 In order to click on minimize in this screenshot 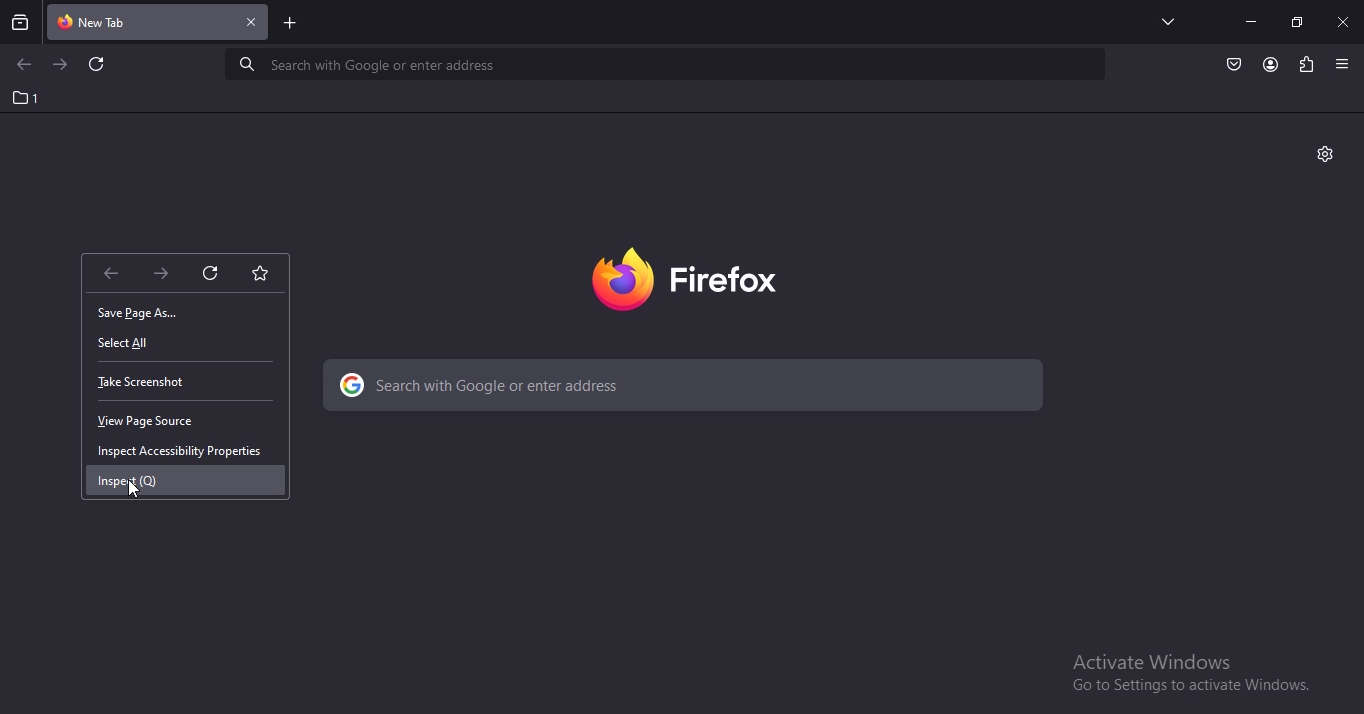, I will do `click(1250, 21)`.